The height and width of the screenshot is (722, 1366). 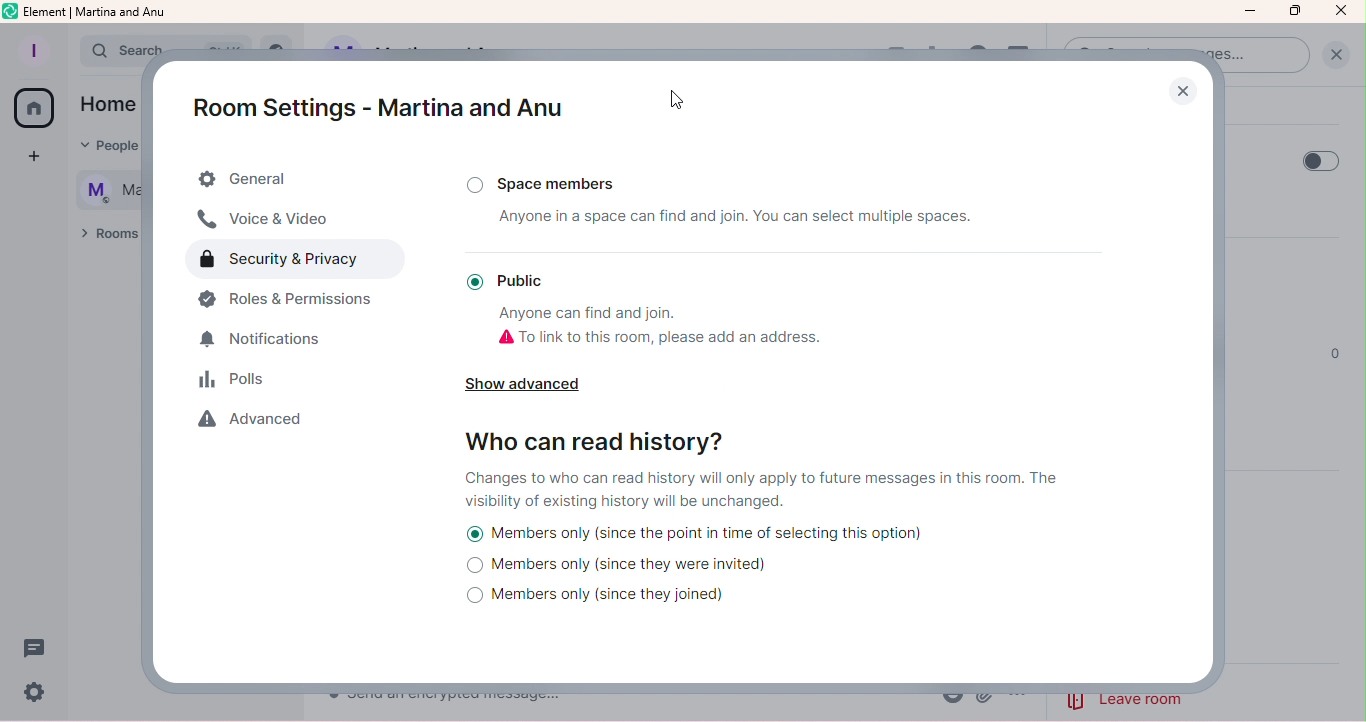 What do you see at coordinates (32, 52) in the screenshot?
I see `Profile` at bounding box center [32, 52].